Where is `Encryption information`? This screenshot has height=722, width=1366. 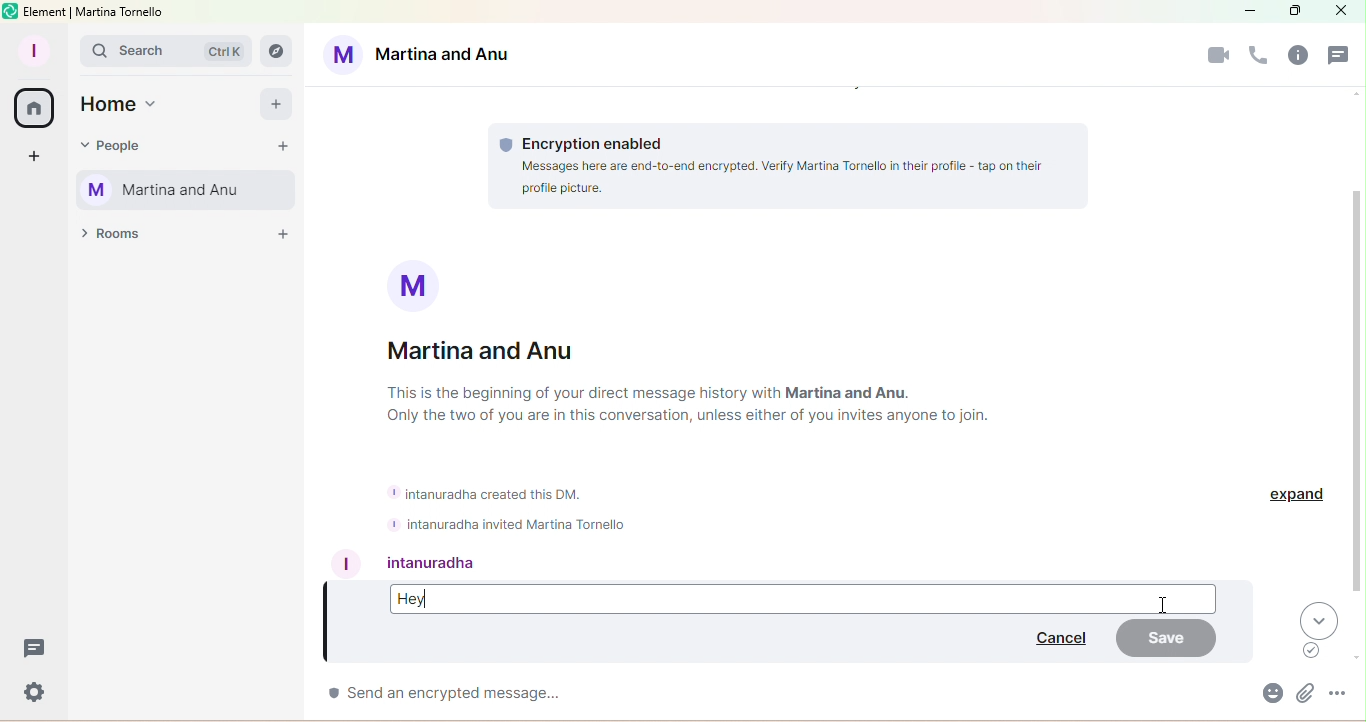 Encryption information is located at coordinates (787, 163).